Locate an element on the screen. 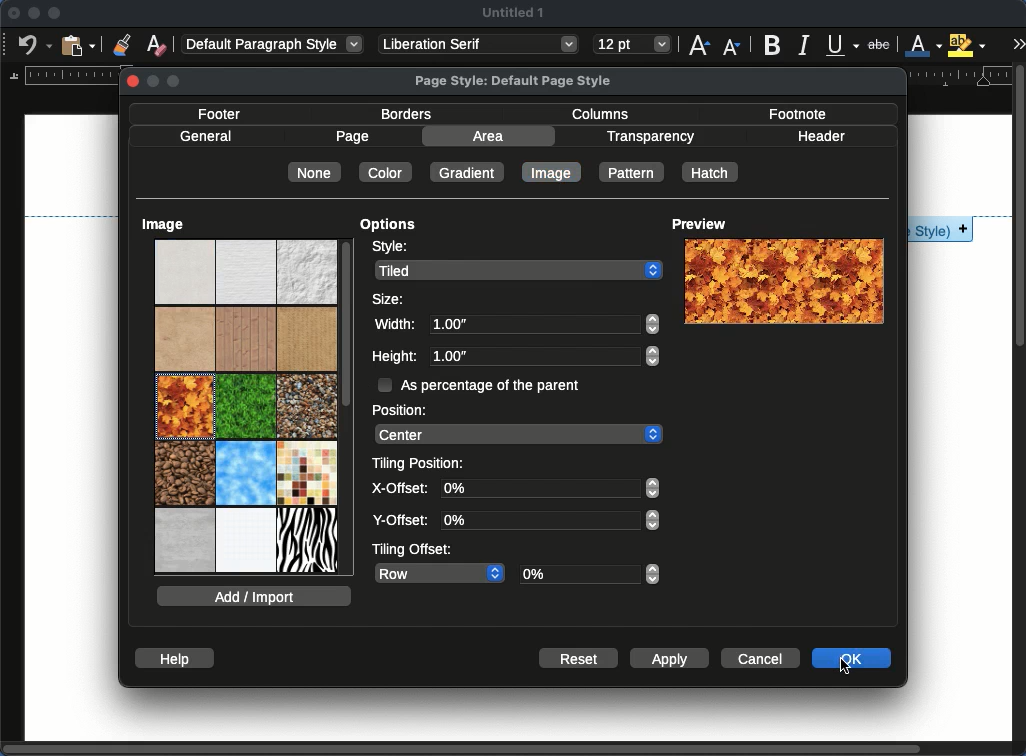 This screenshot has height=756, width=1026. clear formatting is located at coordinates (158, 43).